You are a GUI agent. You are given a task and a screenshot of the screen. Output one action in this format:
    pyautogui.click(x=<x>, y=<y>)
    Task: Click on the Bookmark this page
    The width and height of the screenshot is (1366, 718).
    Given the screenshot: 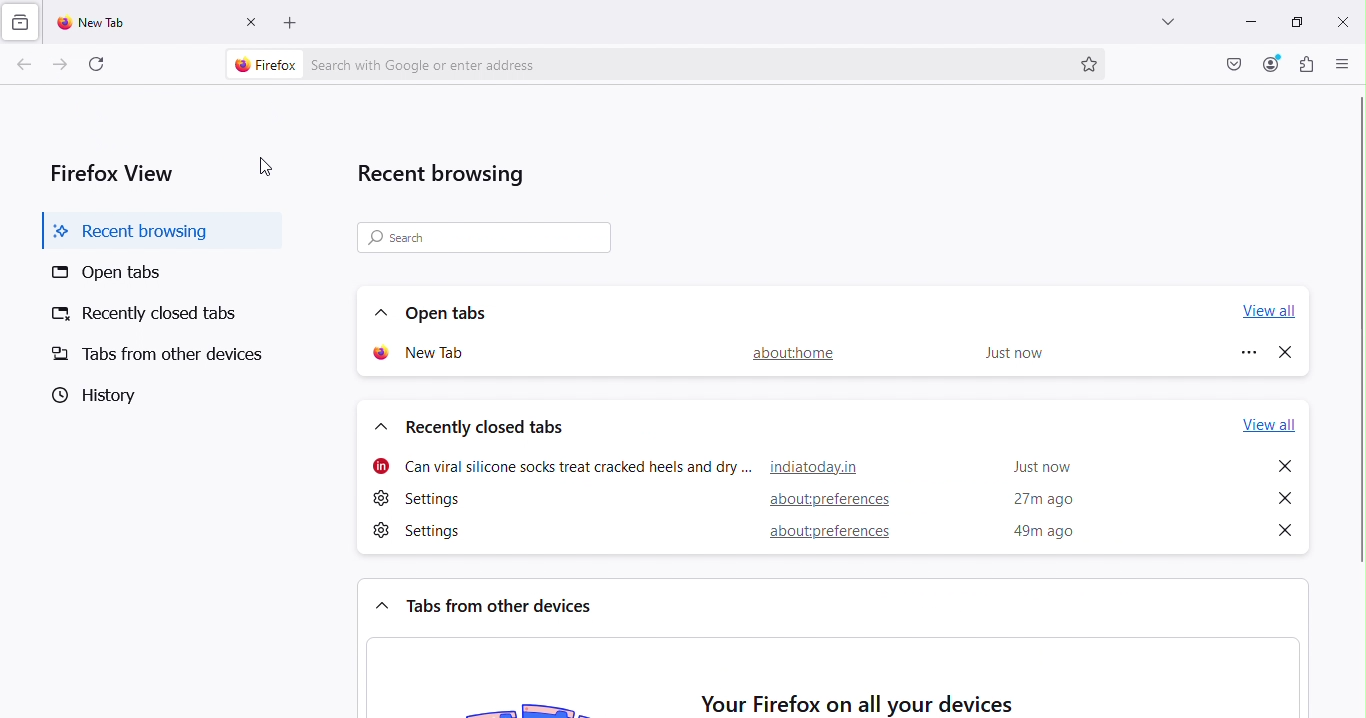 What is the action you would take?
    pyautogui.click(x=1094, y=66)
    